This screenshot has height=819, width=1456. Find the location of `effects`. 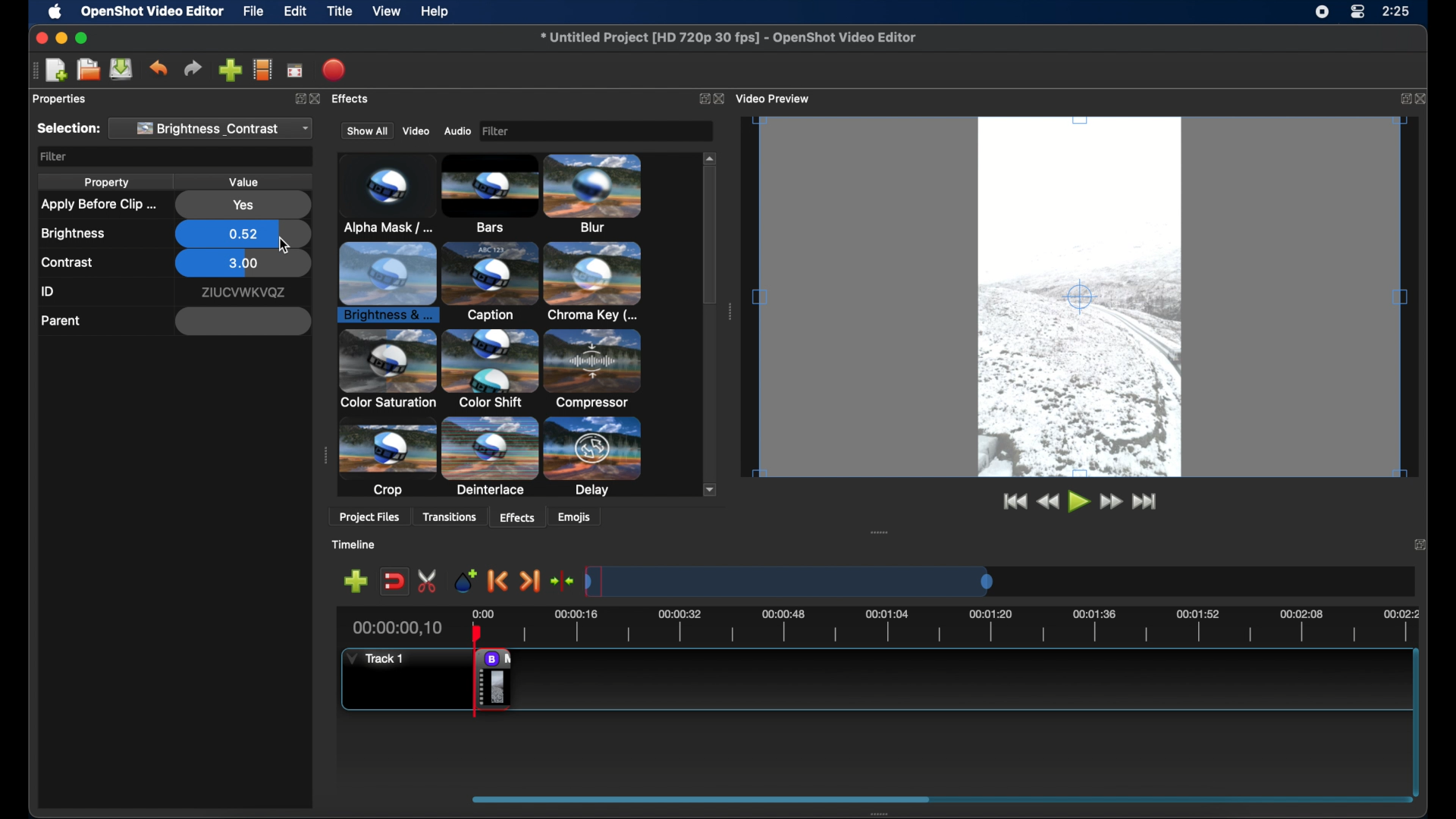

effects is located at coordinates (356, 101).